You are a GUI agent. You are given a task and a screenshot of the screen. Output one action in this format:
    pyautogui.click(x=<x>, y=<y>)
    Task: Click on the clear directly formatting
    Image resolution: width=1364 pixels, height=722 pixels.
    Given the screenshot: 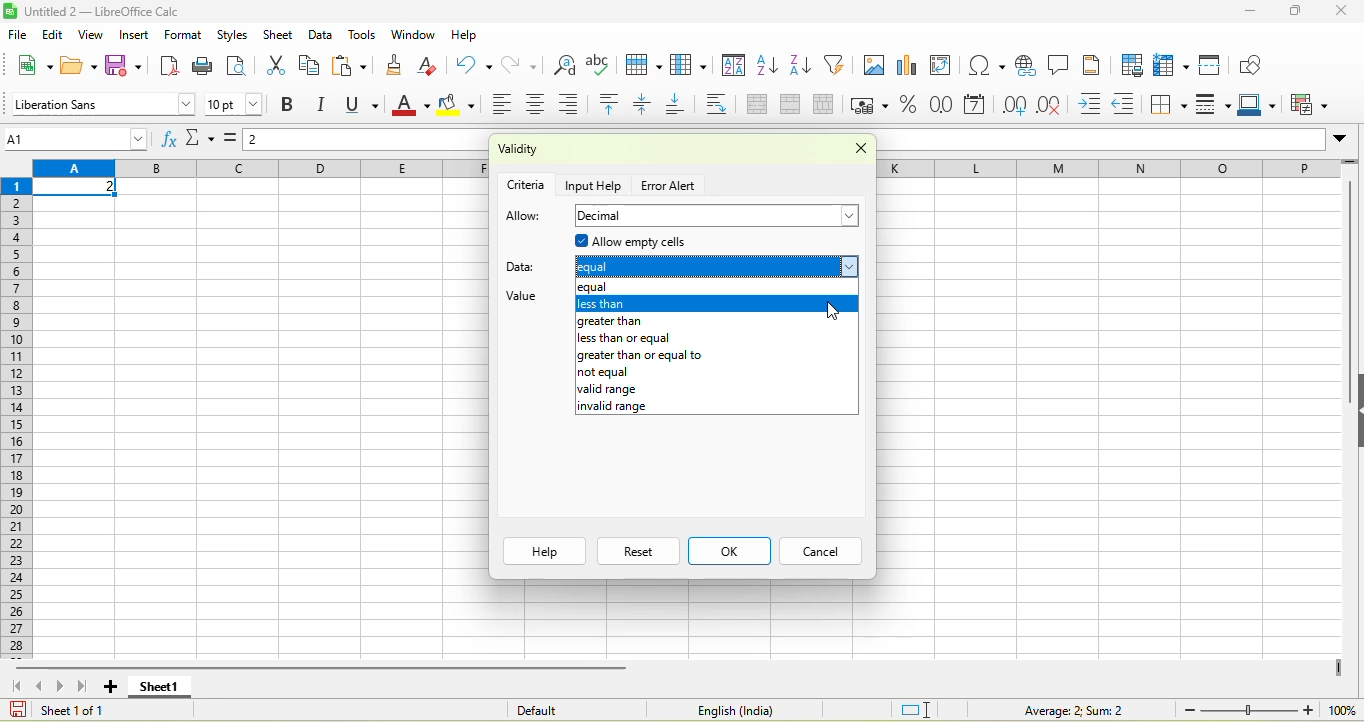 What is the action you would take?
    pyautogui.click(x=432, y=66)
    